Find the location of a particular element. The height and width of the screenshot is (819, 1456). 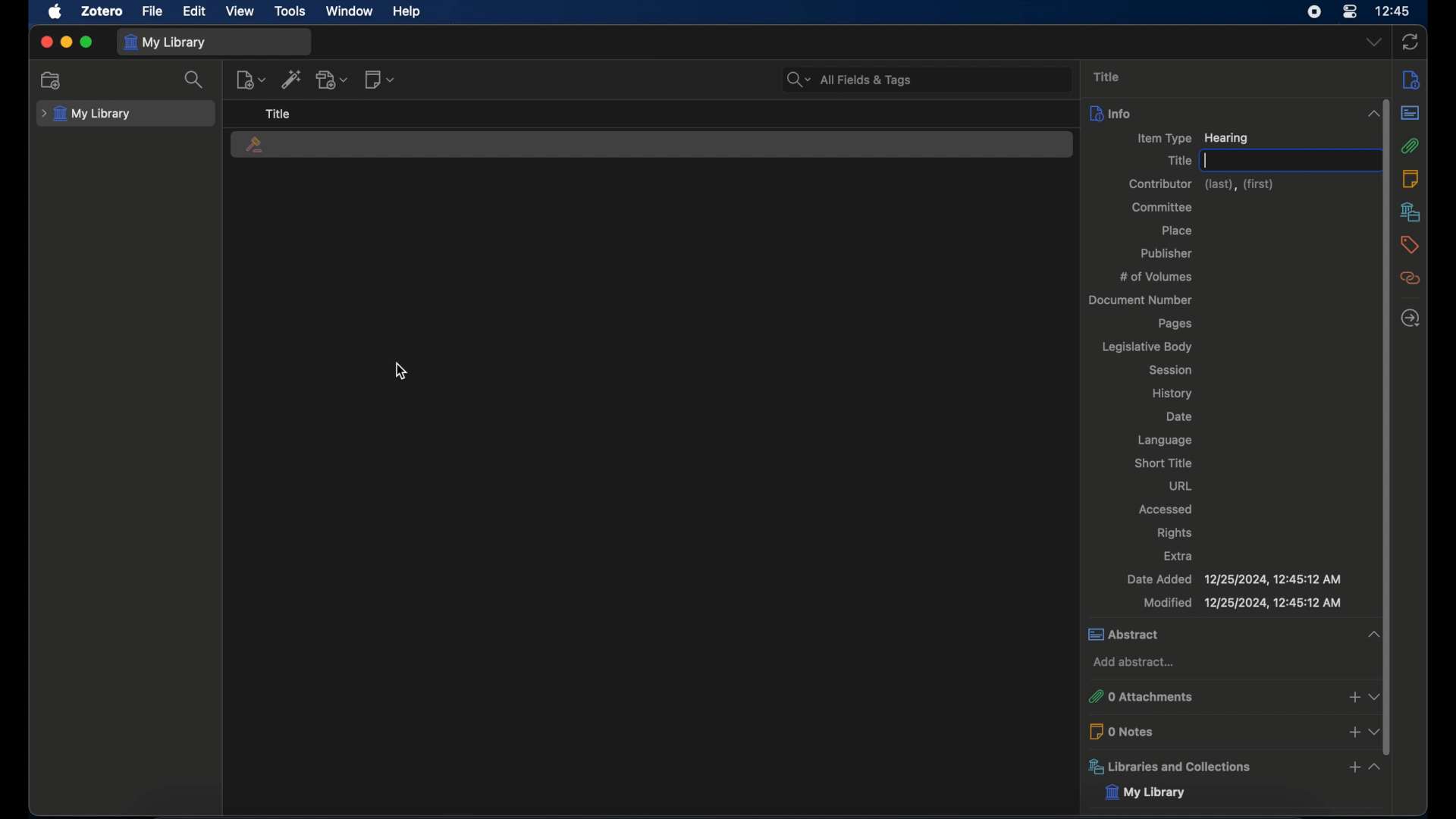

close is located at coordinates (45, 41).